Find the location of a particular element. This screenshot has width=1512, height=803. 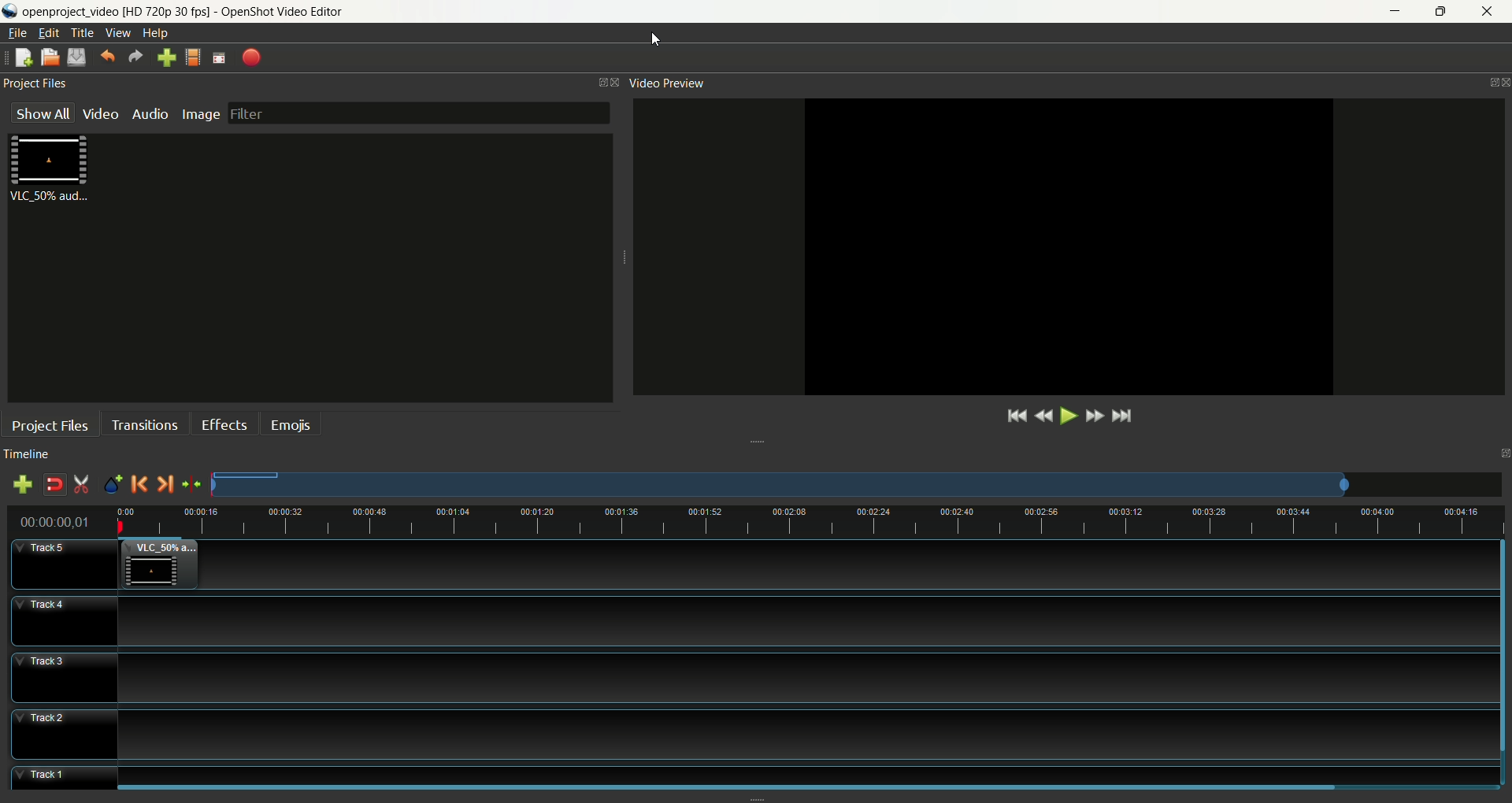

rewind is located at coordinates (1041, 417).